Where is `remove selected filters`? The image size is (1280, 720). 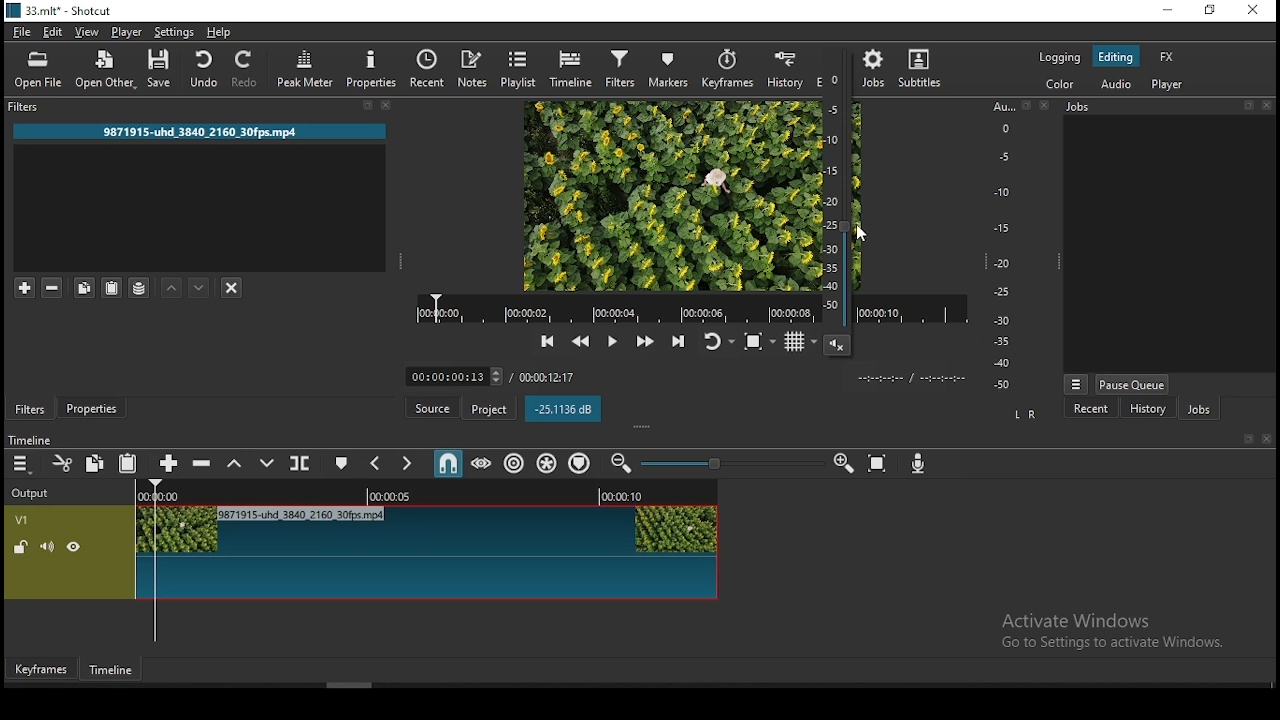
remove selected filters is located at coordinates (53, 289).